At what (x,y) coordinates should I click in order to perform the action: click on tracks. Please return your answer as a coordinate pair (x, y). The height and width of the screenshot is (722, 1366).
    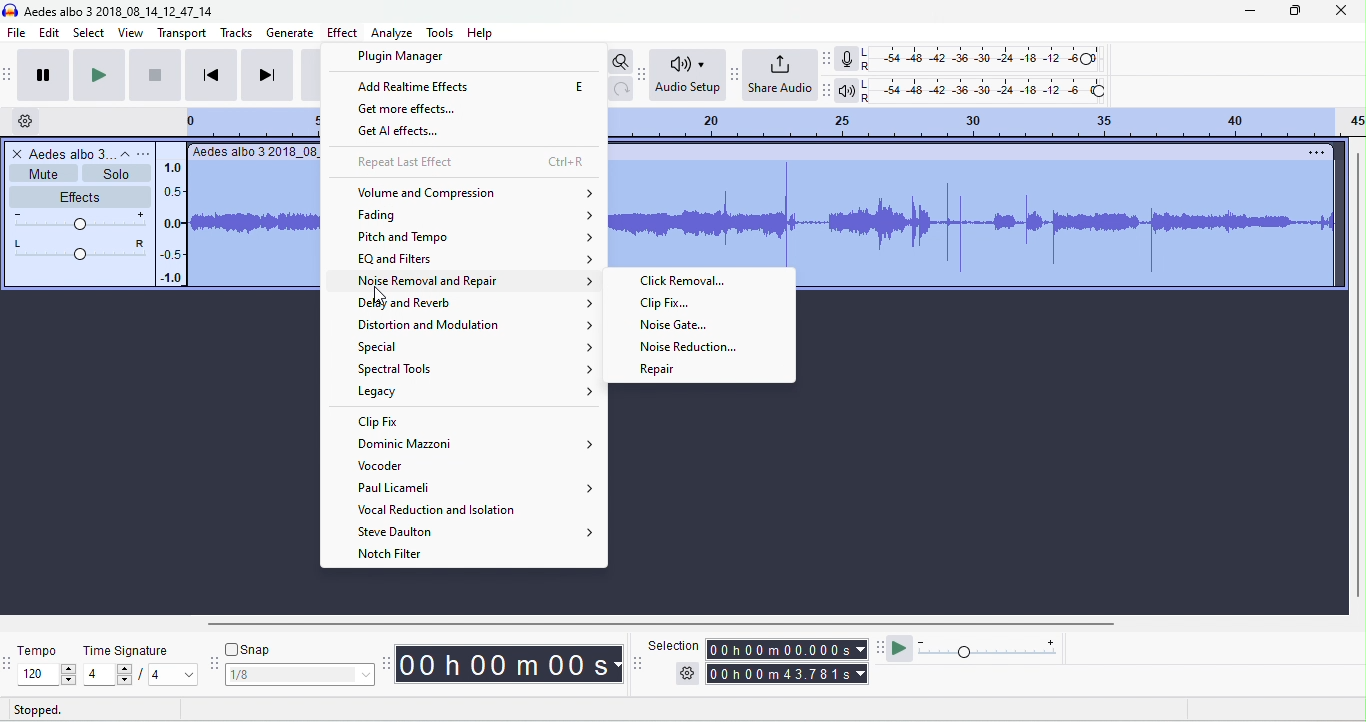
    Looking at the image, I should click on (236, 34).